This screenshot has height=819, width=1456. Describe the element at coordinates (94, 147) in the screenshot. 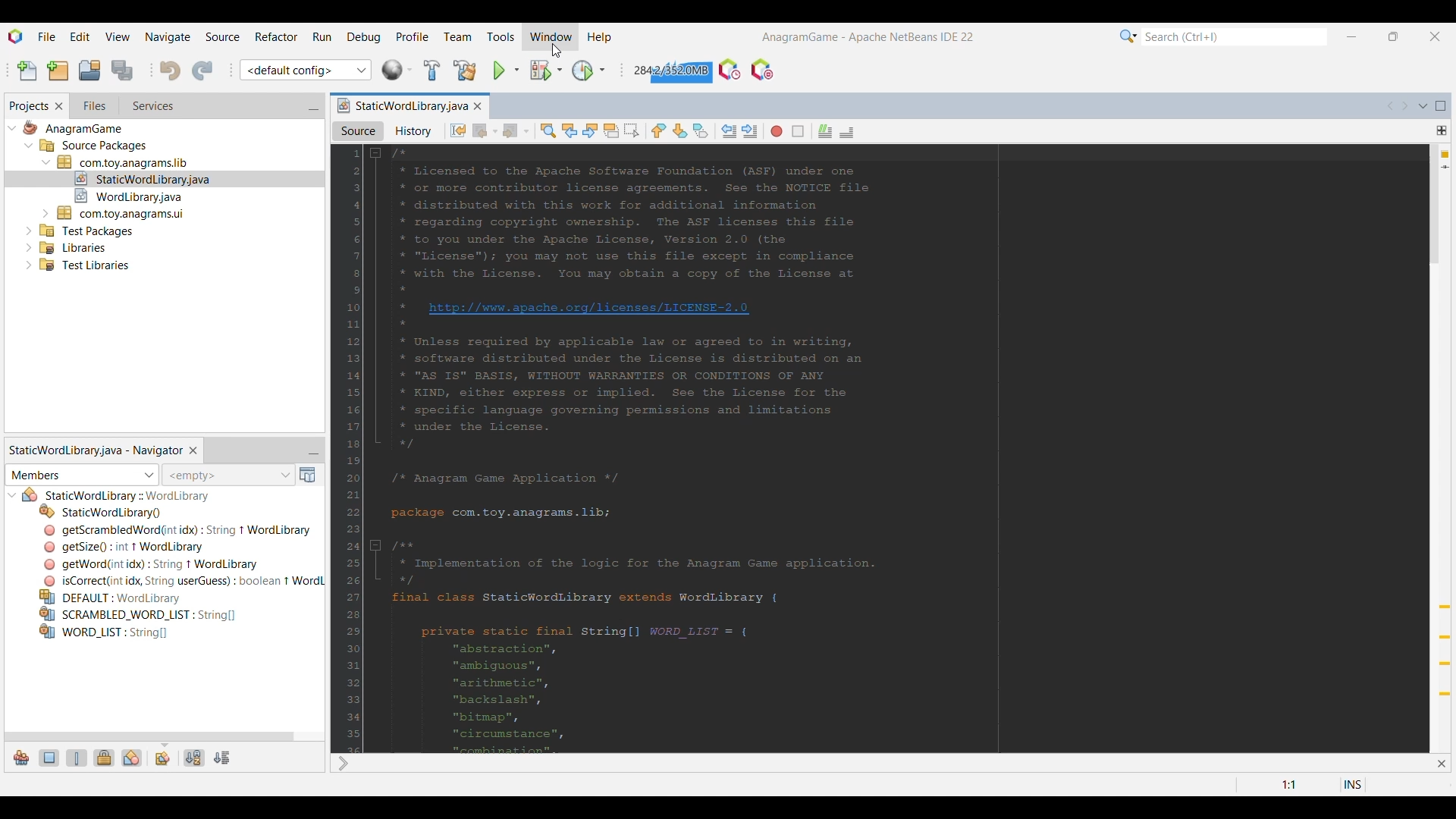

I see `` at that location.